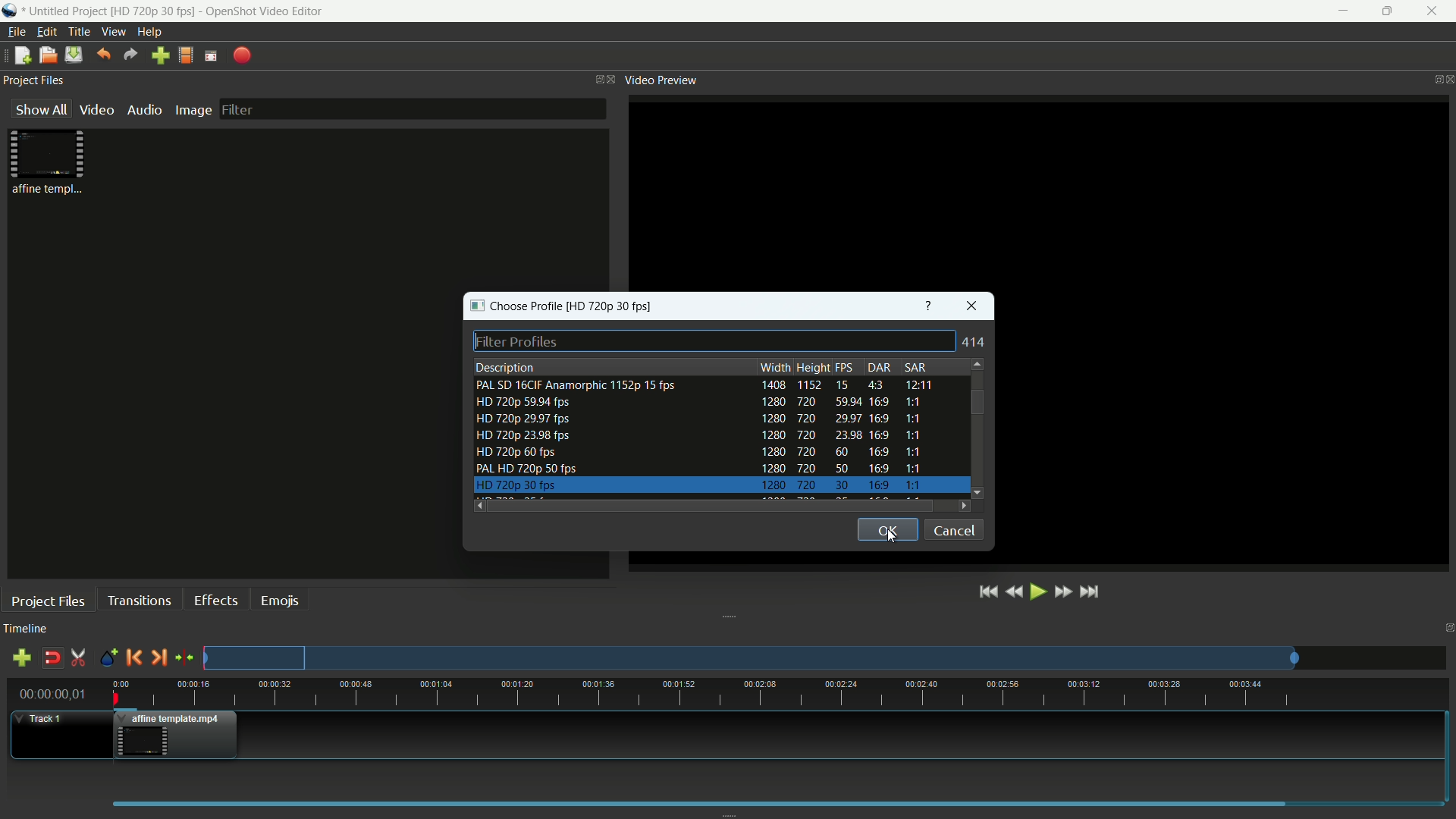  Describe the element at coordinates (161, 55) in the screenshot. I see `import file` at that location.